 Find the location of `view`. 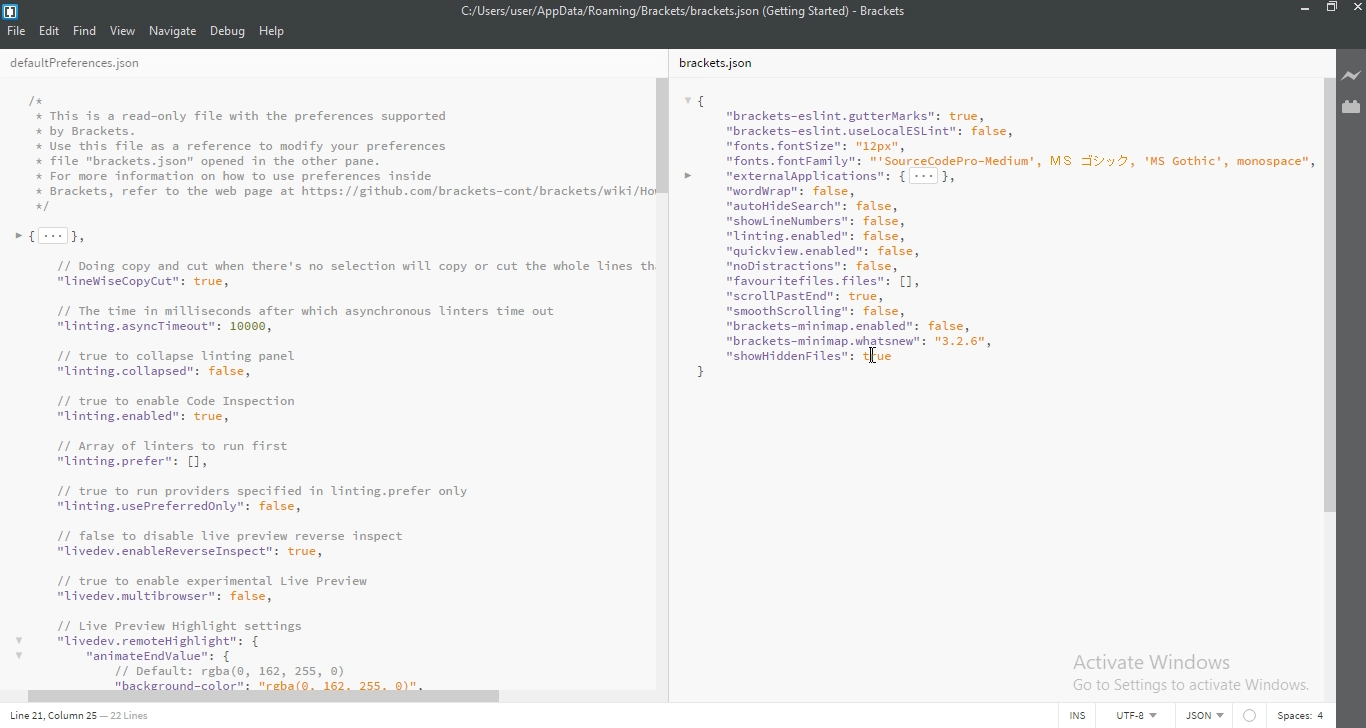

view is located at coordinates (122, 31).